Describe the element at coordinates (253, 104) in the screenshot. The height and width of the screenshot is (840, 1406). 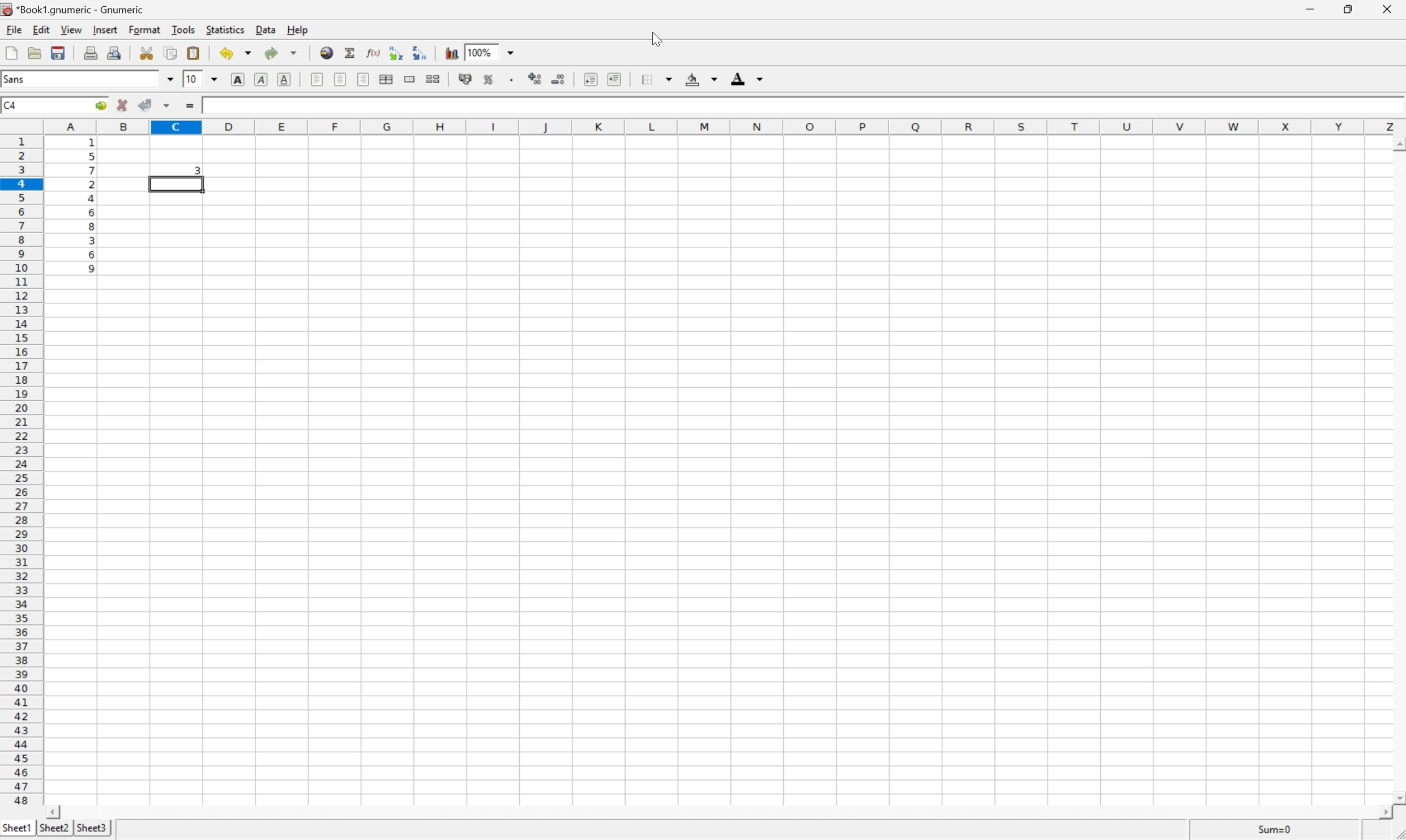
I see `=RANK(A3,A$1:A$10)` at that location.